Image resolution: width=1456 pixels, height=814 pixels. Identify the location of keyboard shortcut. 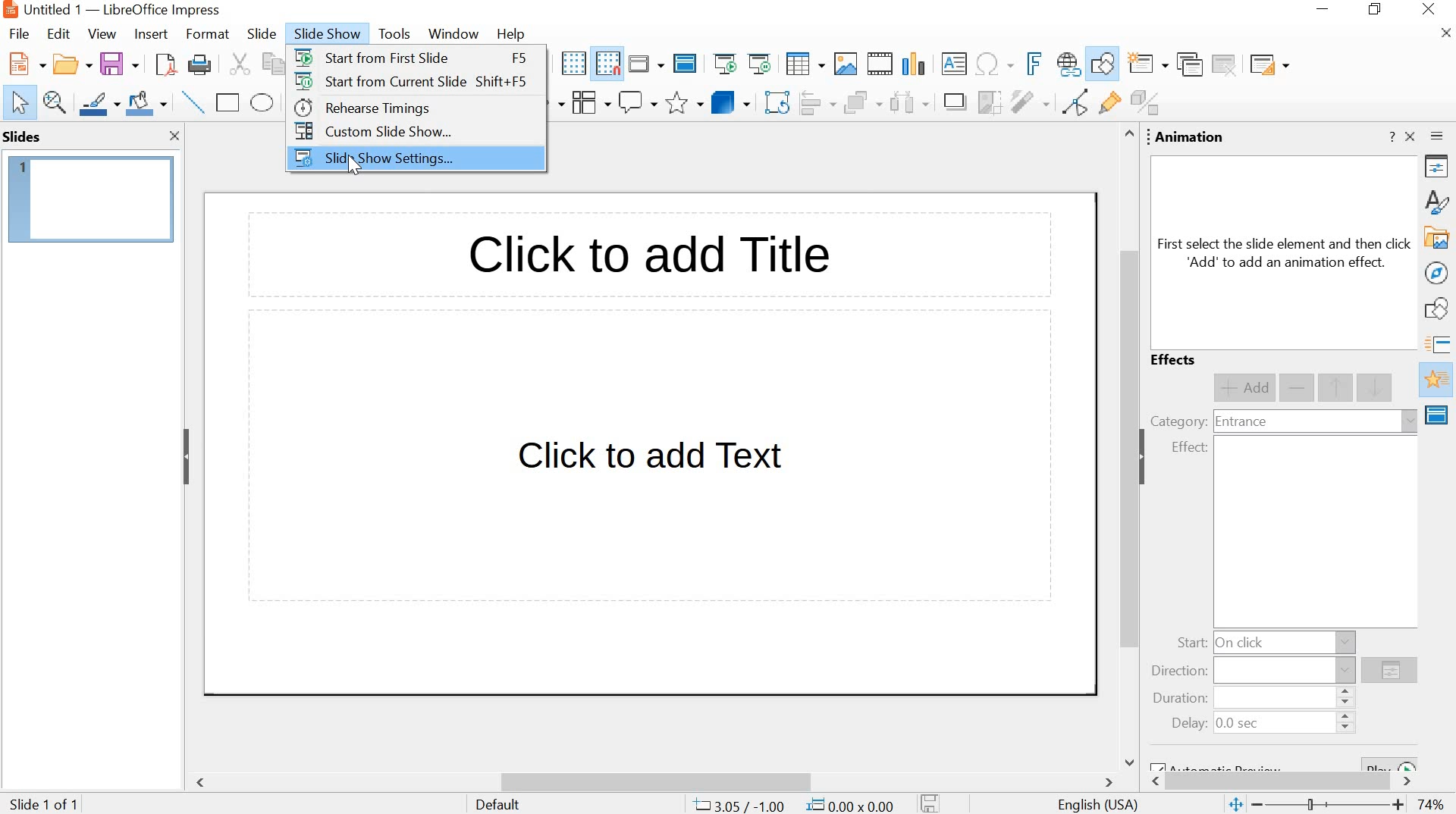
(502, 83).